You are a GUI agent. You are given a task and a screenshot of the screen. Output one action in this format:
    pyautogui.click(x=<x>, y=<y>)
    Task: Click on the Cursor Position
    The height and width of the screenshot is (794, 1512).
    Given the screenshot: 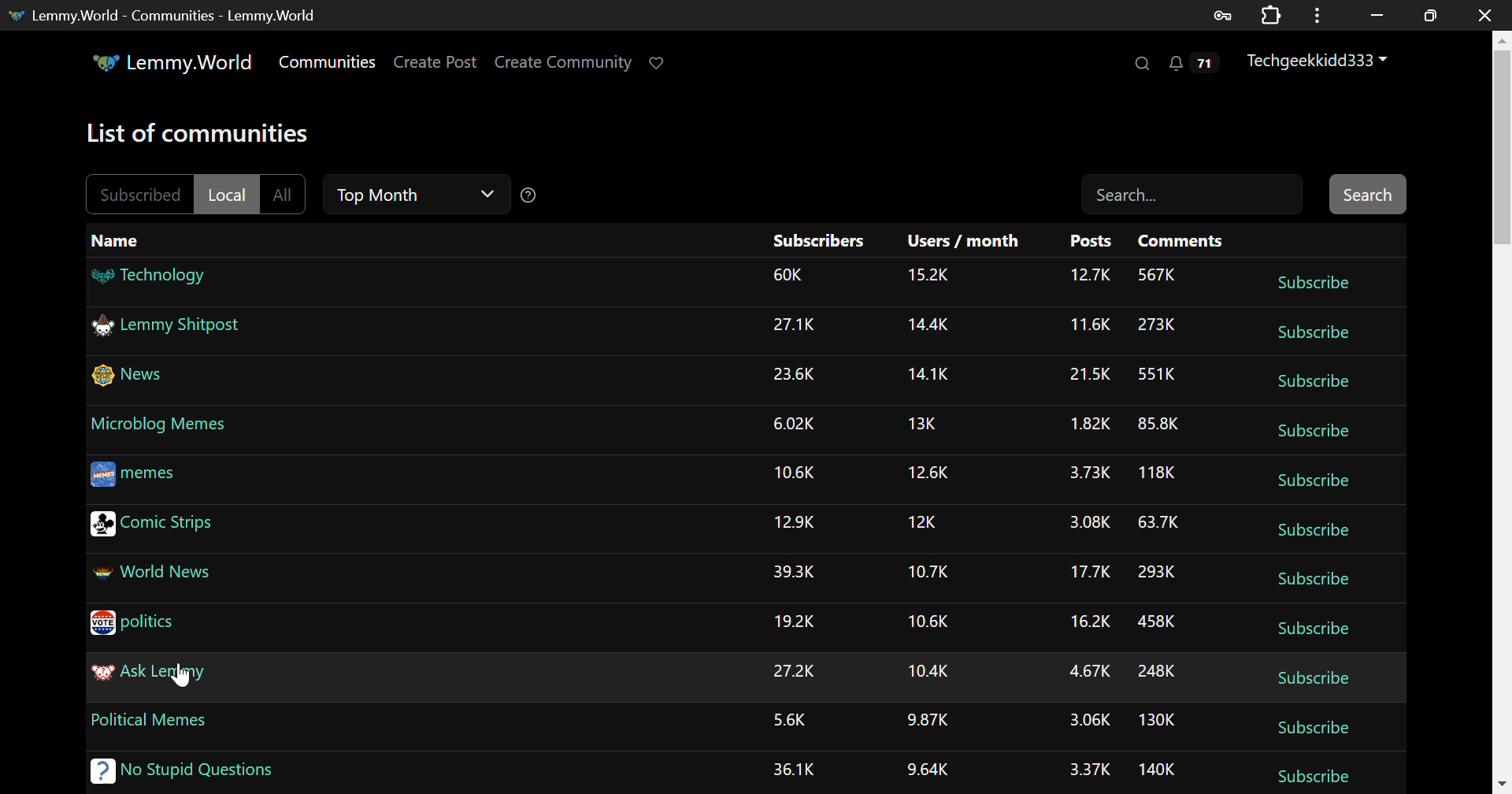 What is the action you would take?
    pyautogui.click(x=183, y=675)
    